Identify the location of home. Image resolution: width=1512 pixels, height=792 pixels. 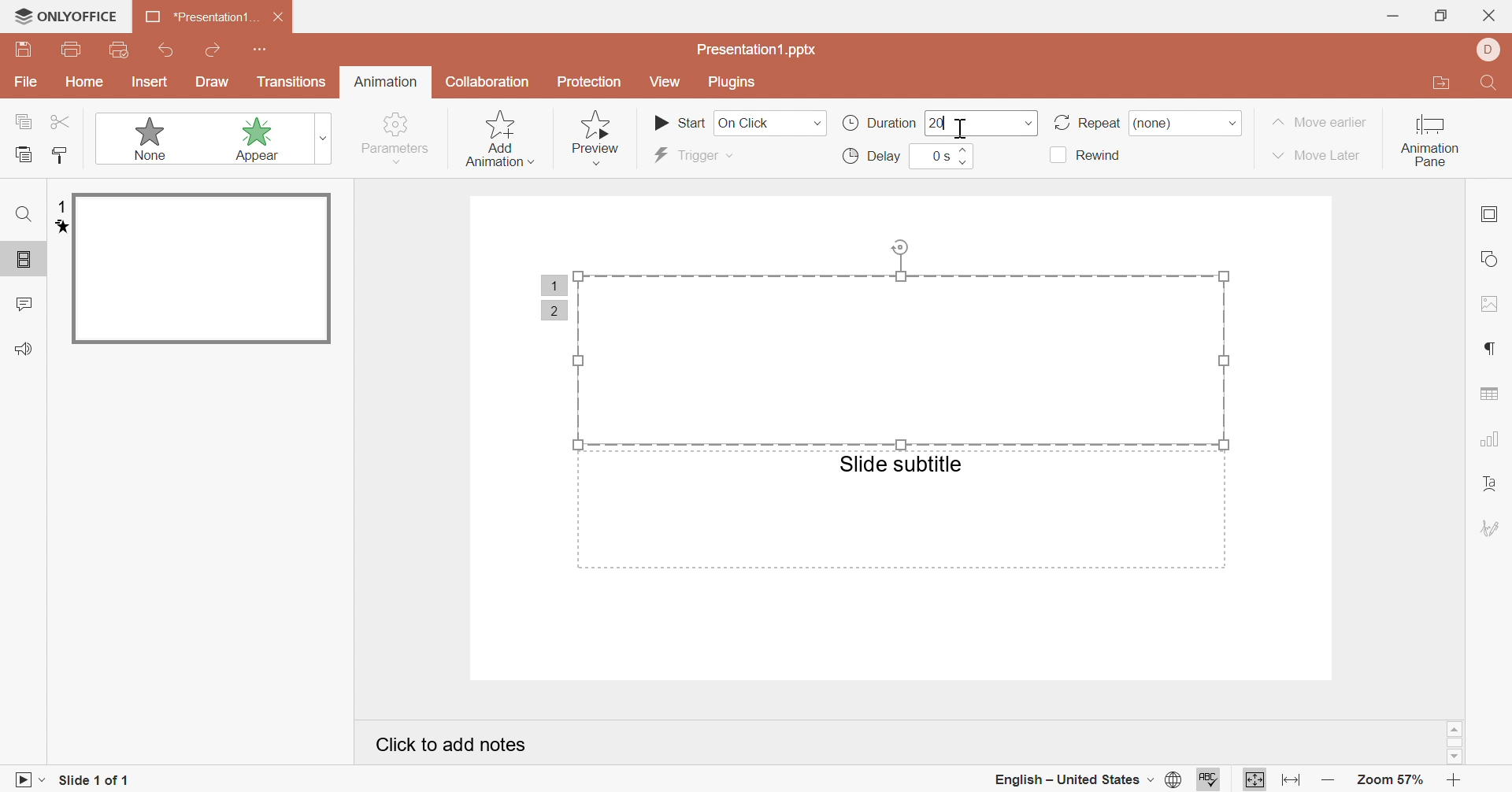
(86, 81).